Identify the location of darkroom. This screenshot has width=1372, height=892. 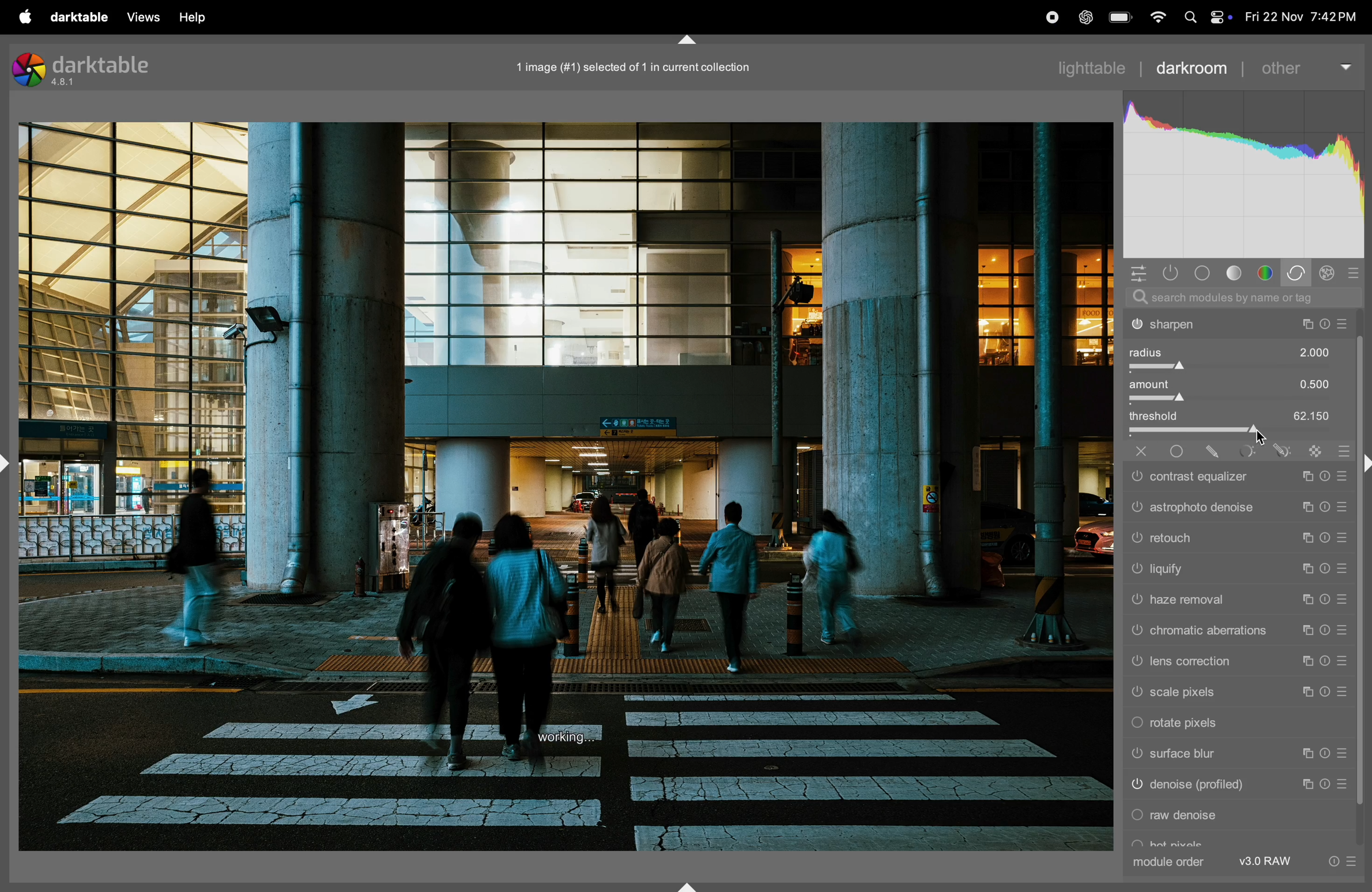
(1193, 69).